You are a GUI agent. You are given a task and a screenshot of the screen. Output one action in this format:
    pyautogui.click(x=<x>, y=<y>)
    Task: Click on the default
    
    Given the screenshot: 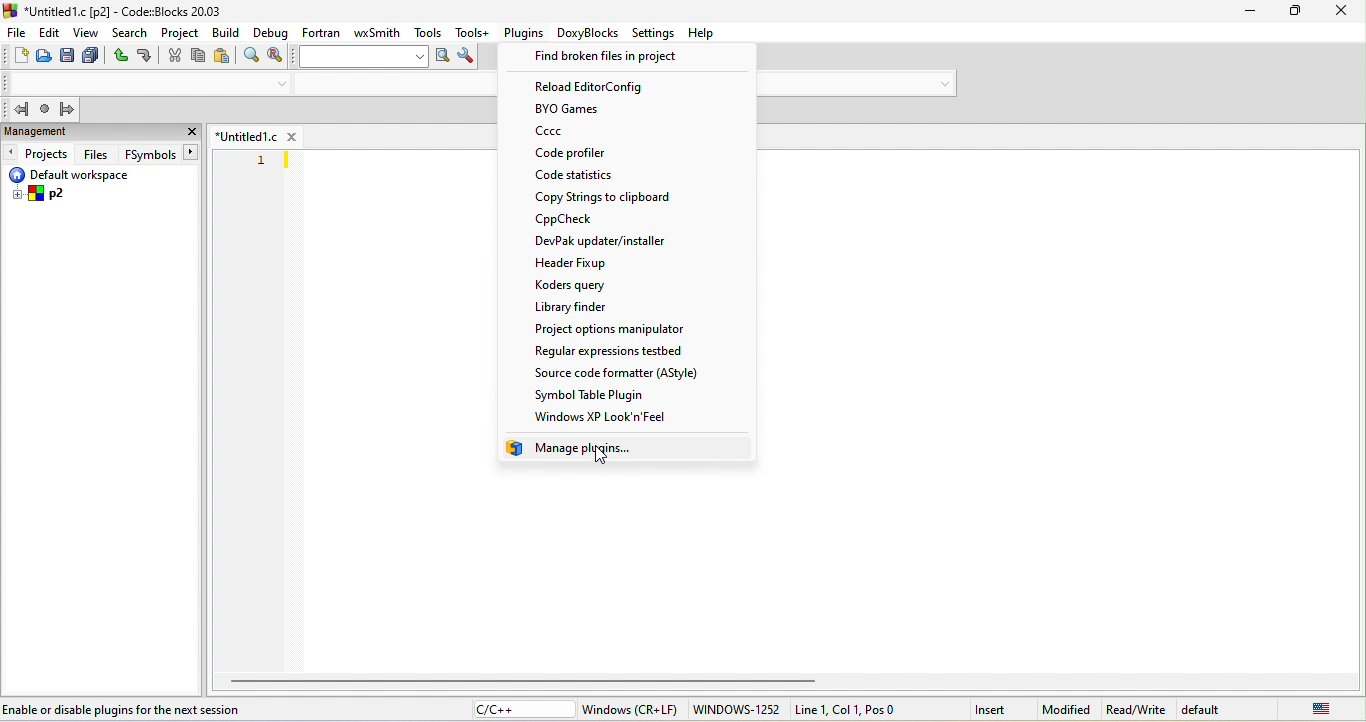 What is the action you would take?
    pyautogui.click(x=1236, y=710)
    